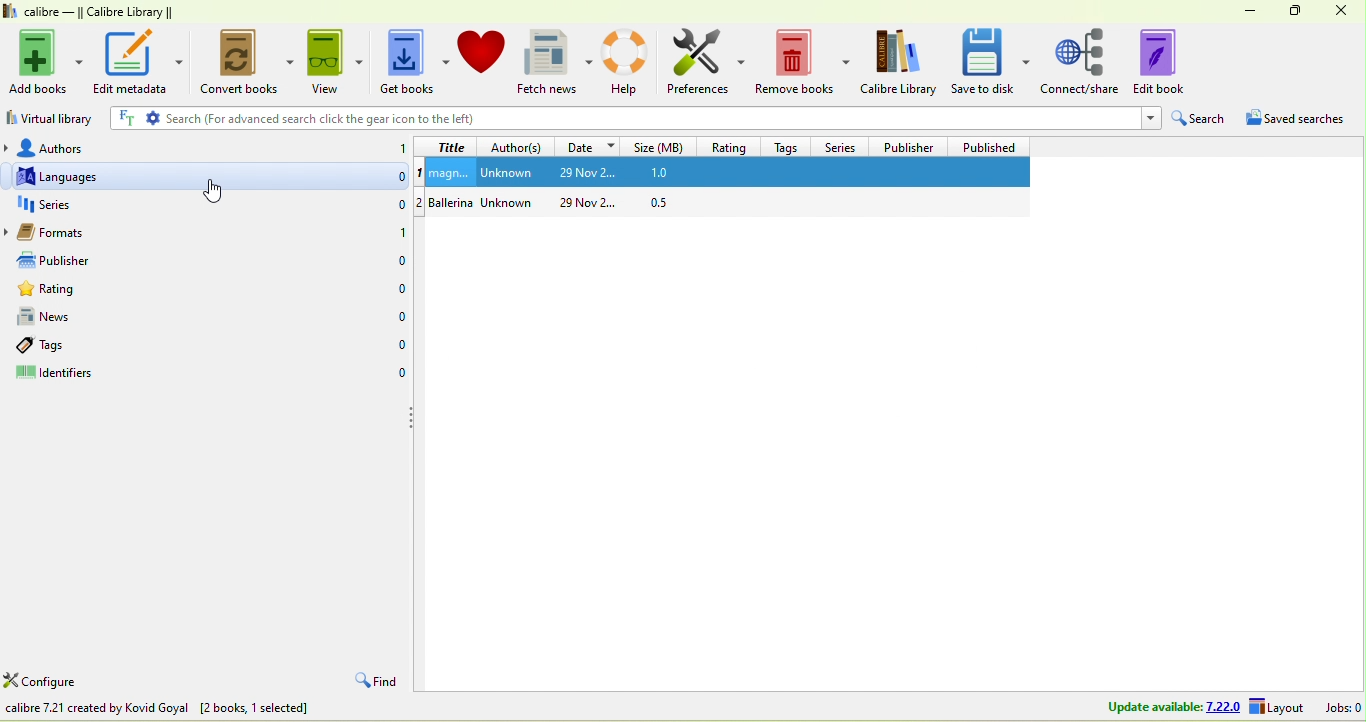  Describe the element at coordinates (1245, 11) in the screenshot. I see `minimize` at that location.